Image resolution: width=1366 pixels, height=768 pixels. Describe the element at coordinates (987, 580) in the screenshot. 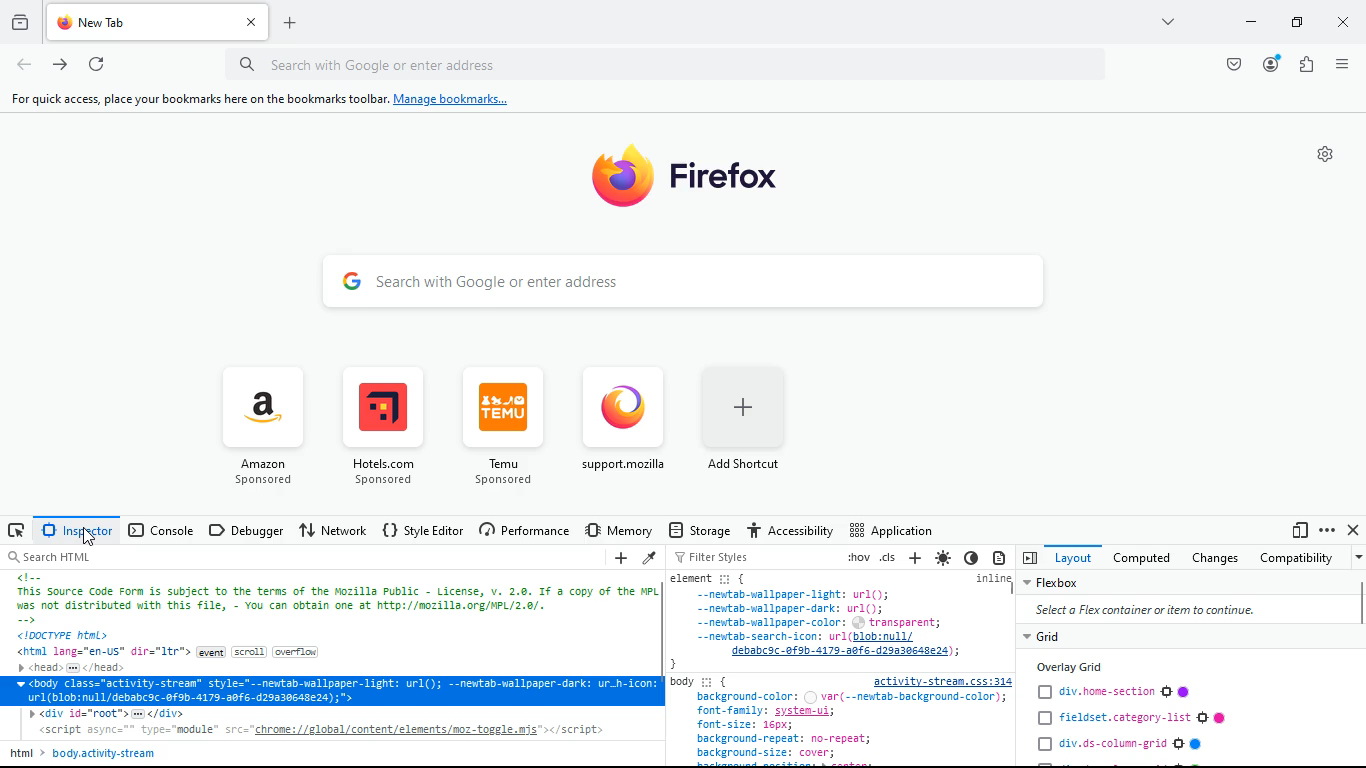

I see `inline` at that location.